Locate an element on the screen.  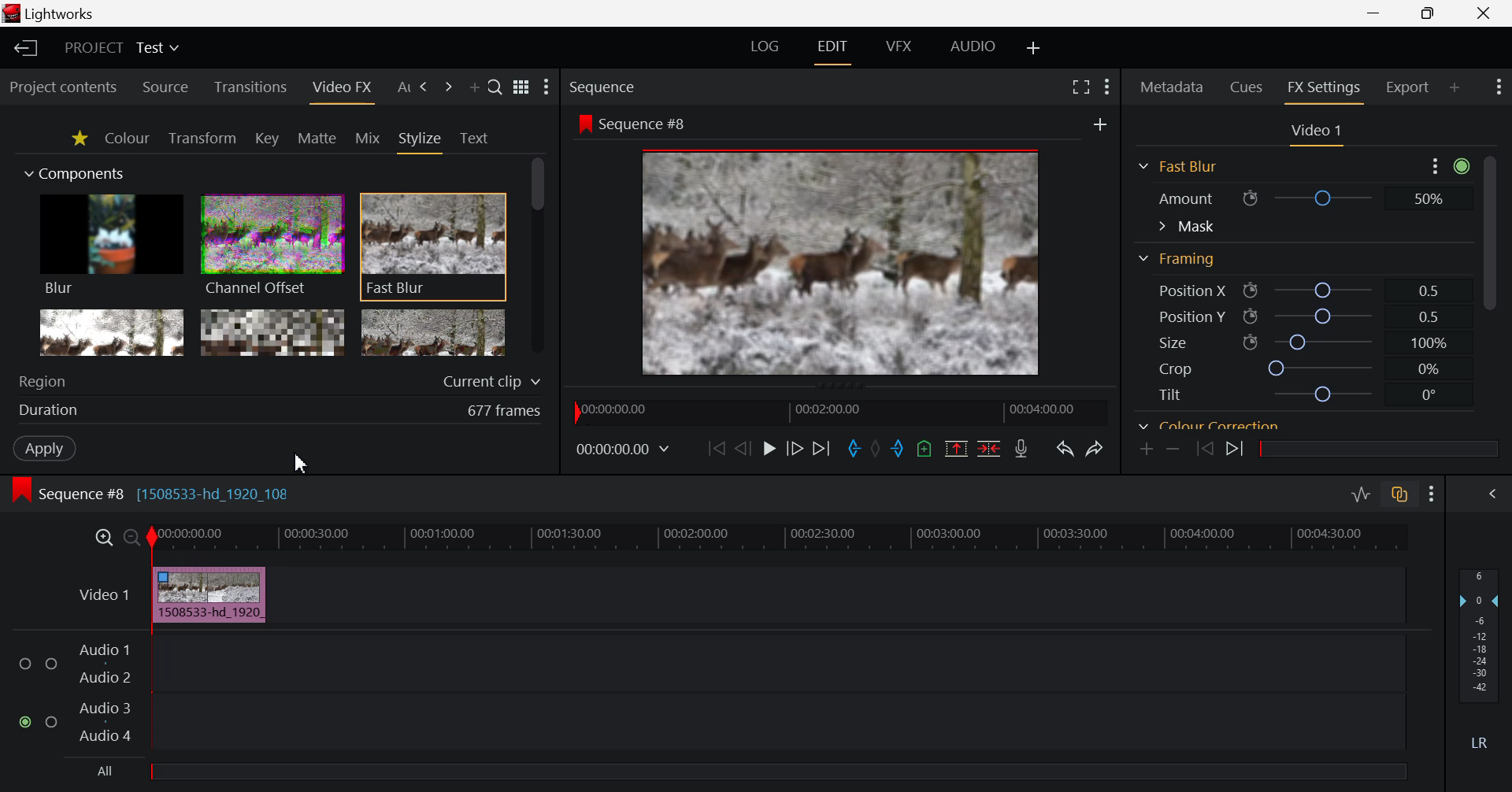
Add keyframe is located at coordinates (1145, 452).